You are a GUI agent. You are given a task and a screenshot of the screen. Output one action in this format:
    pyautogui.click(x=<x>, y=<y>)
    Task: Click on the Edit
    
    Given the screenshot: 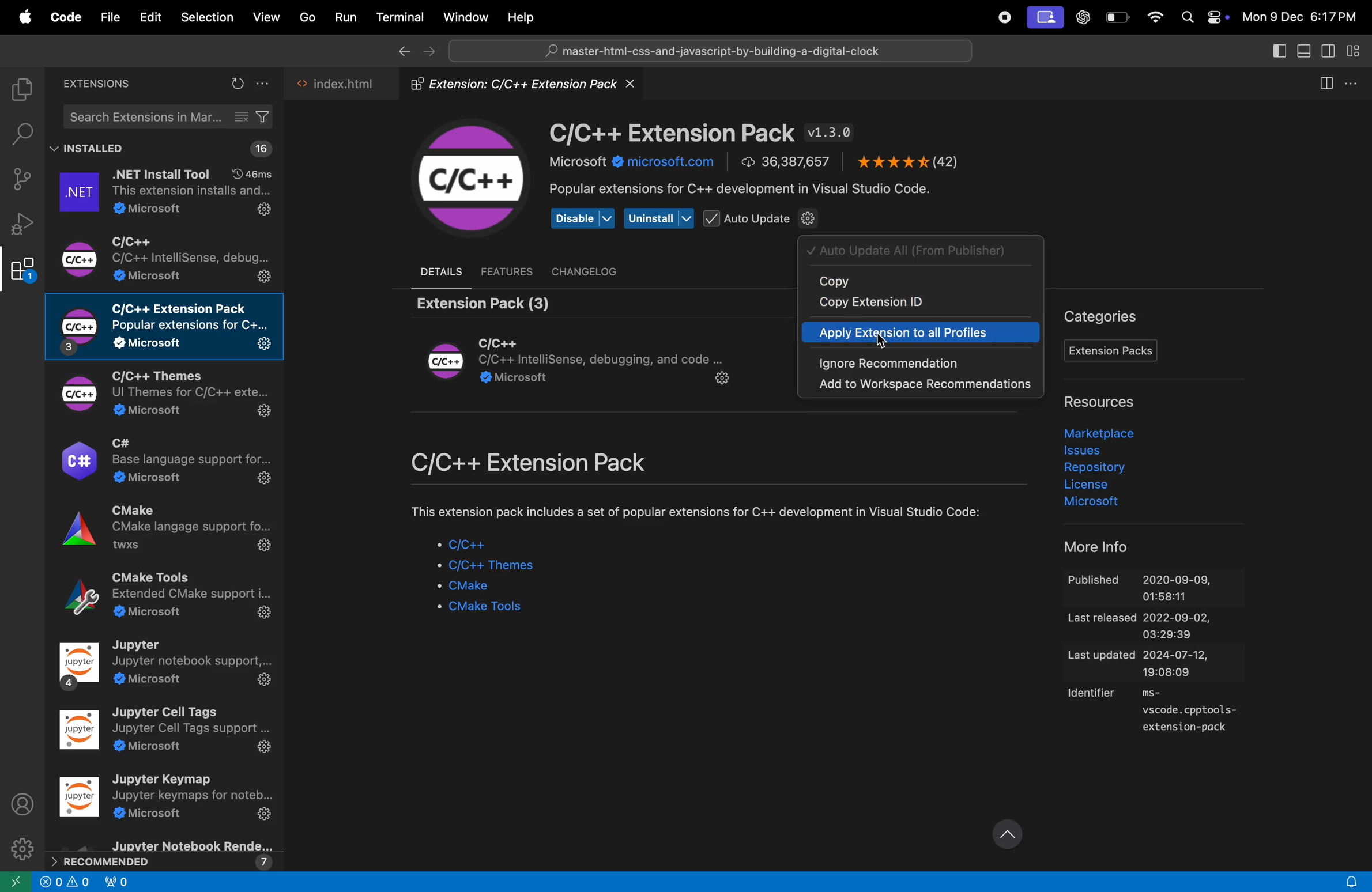 What is the action you would take?
    pyautogui.click(x=147, y=17)
    